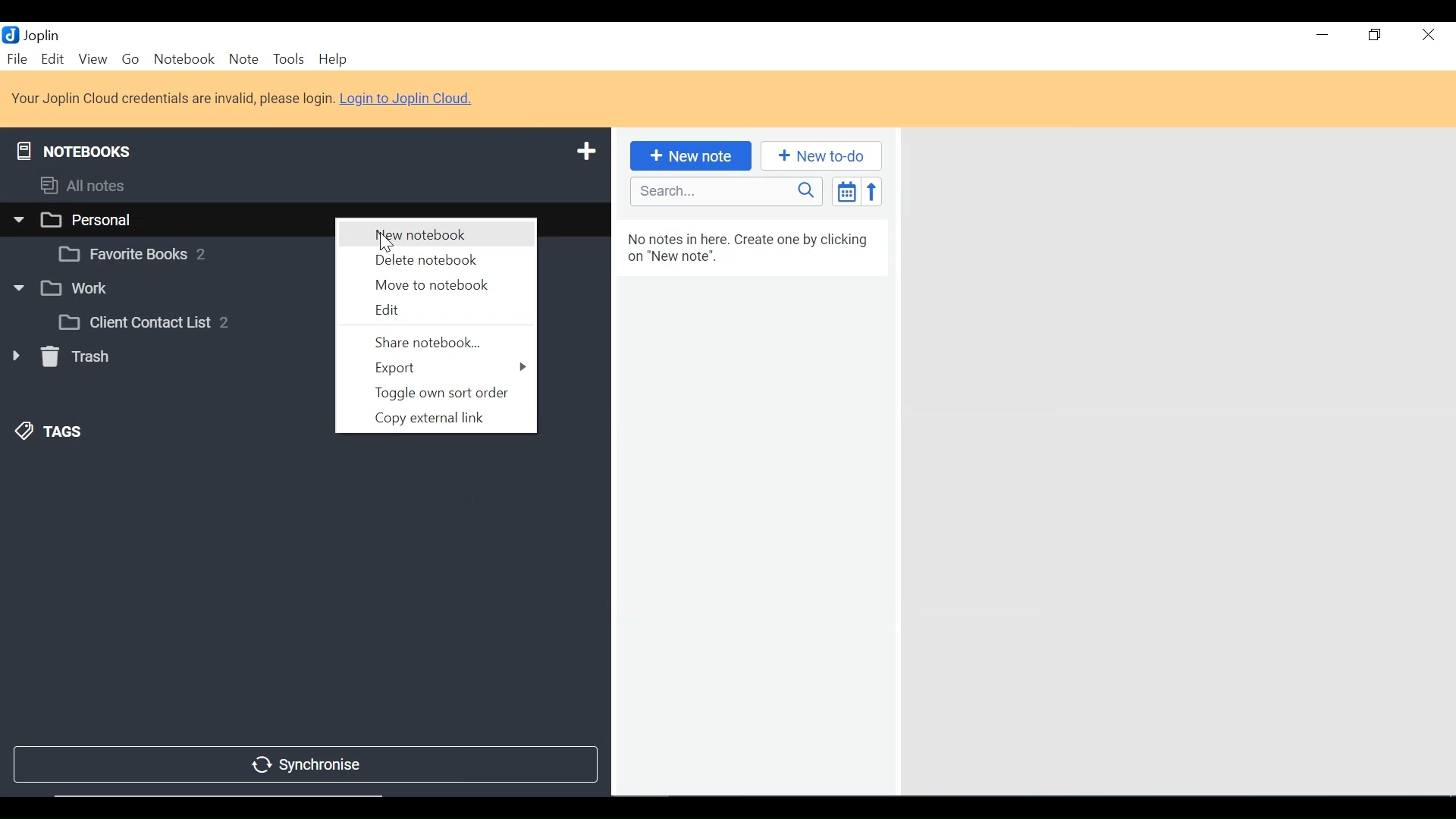 The width and height of the screenshot is (1456, 819). I want to click on Notebook, so click(184, 60).